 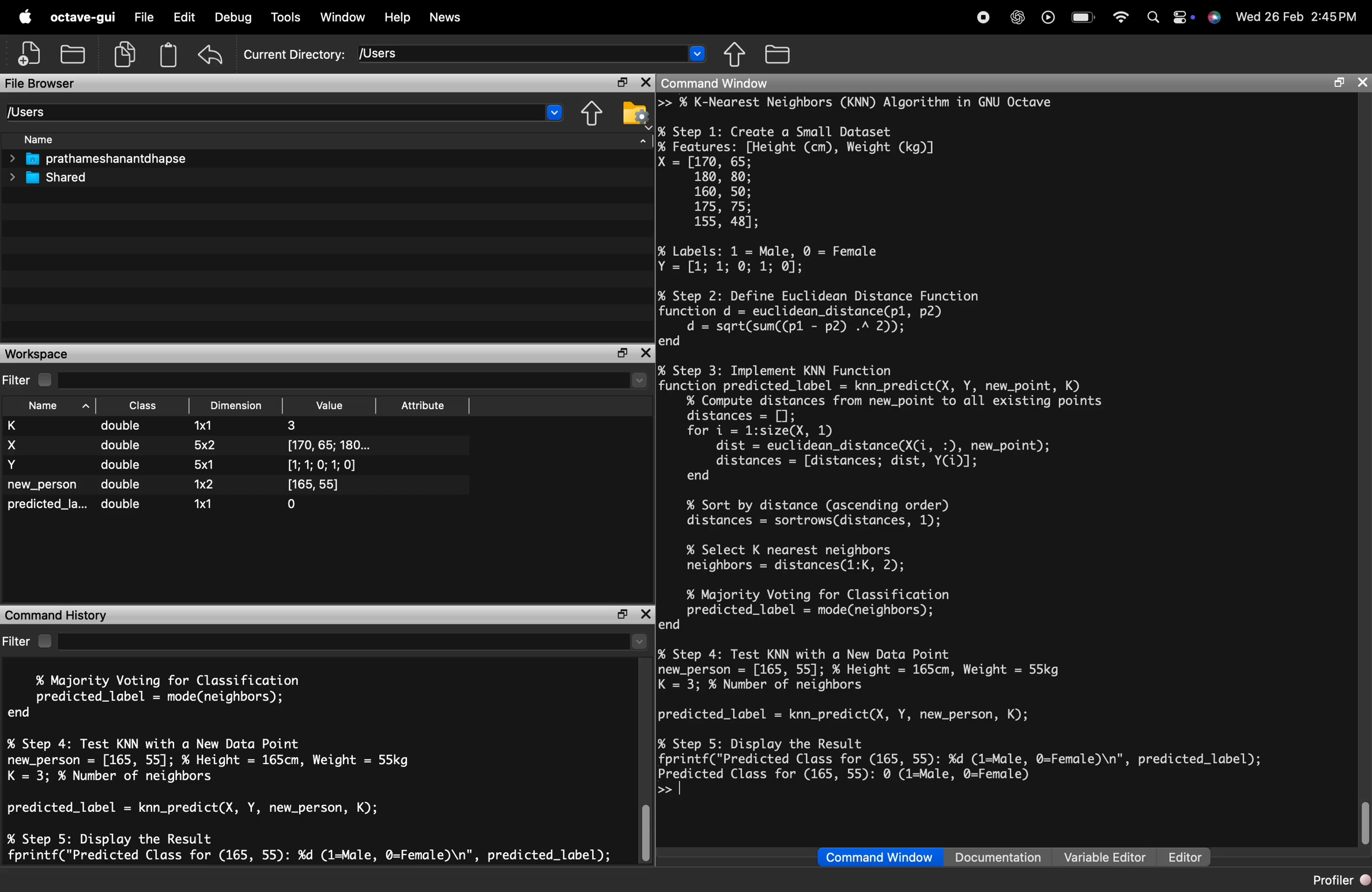 What do you see at coordinates (1215, 22) in the screenshot?
I see `siri` at bounding box center [1215, 22].